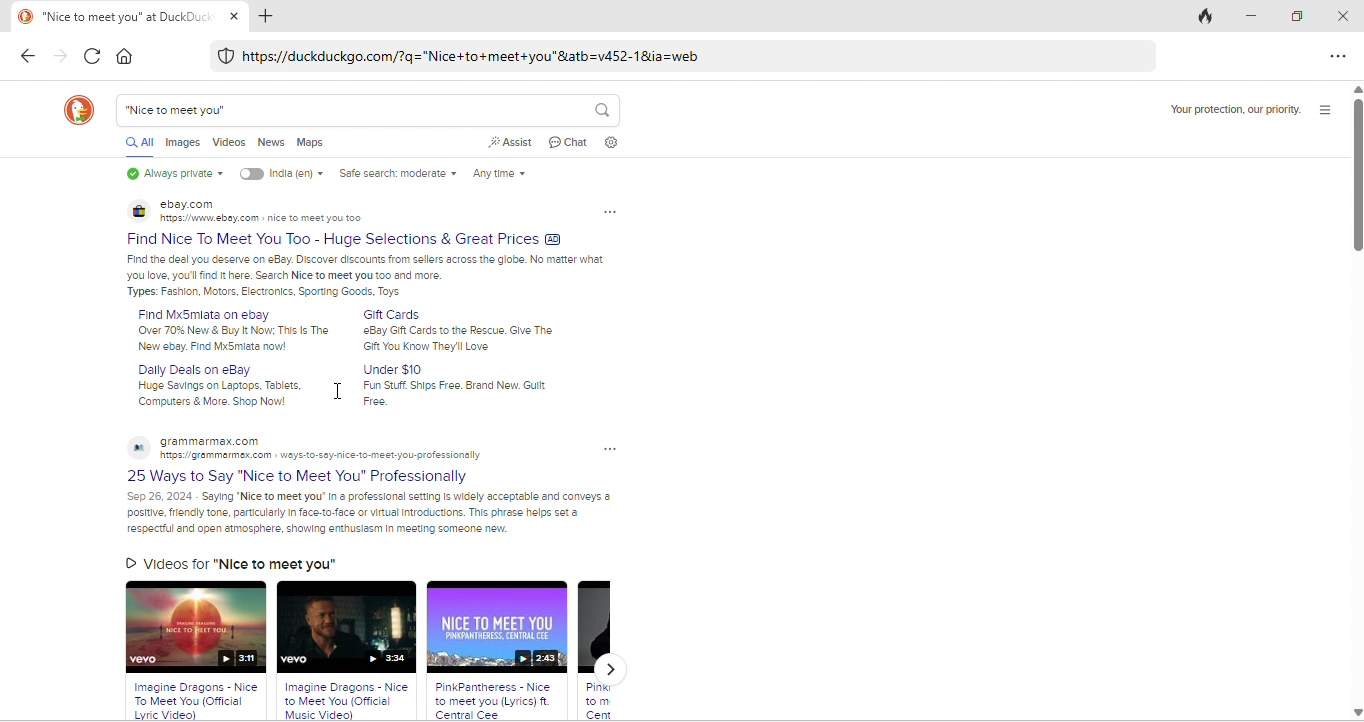 Image resolution: width=1364 pixels, height=722 pixels. I want to click on text, so click(300, 477).